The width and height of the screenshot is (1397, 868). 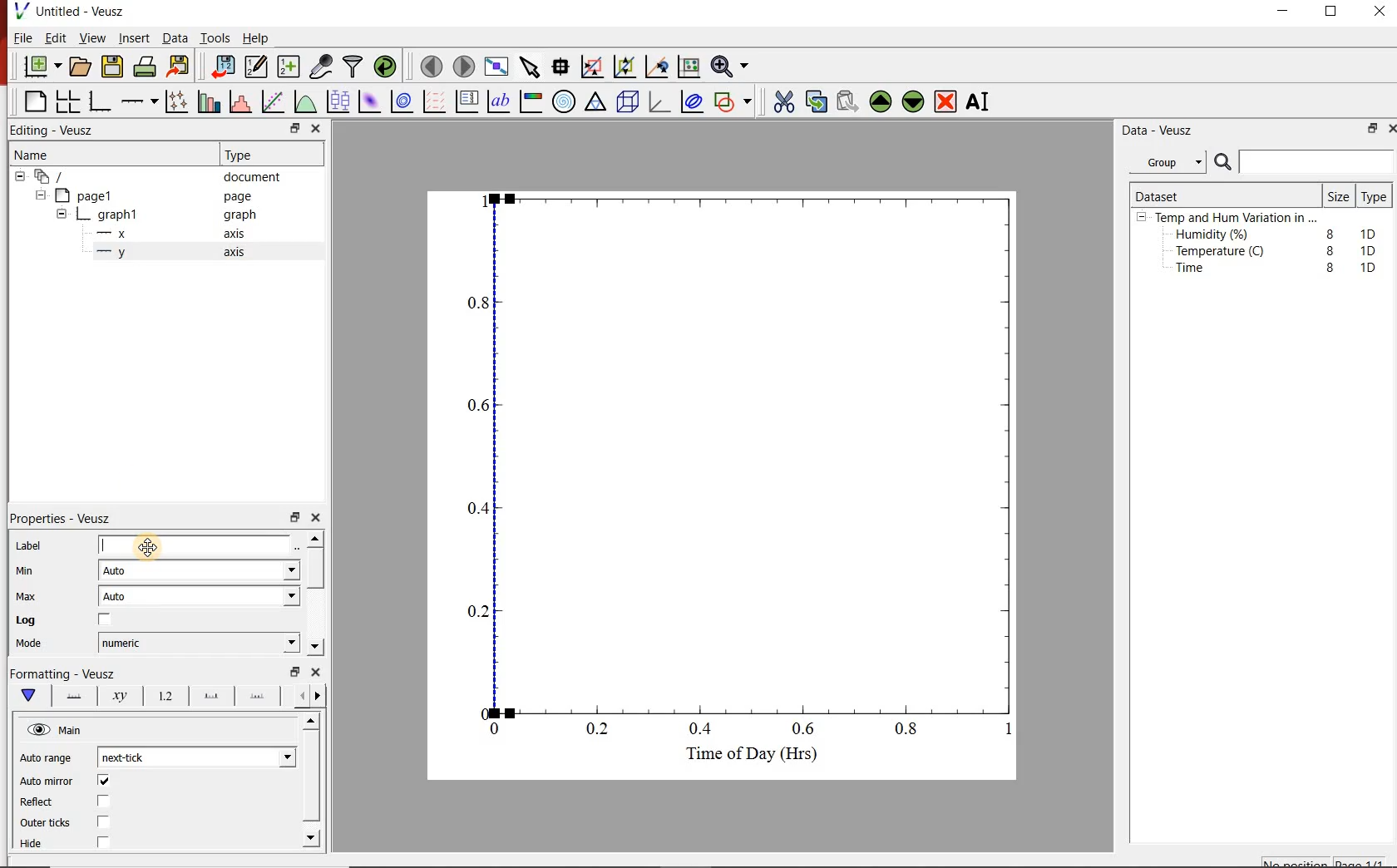 What do you see at coordinates (406, 102) in the screenshot?
I see `plot a 2d dataset as contours` at bounding box center [406, 102].